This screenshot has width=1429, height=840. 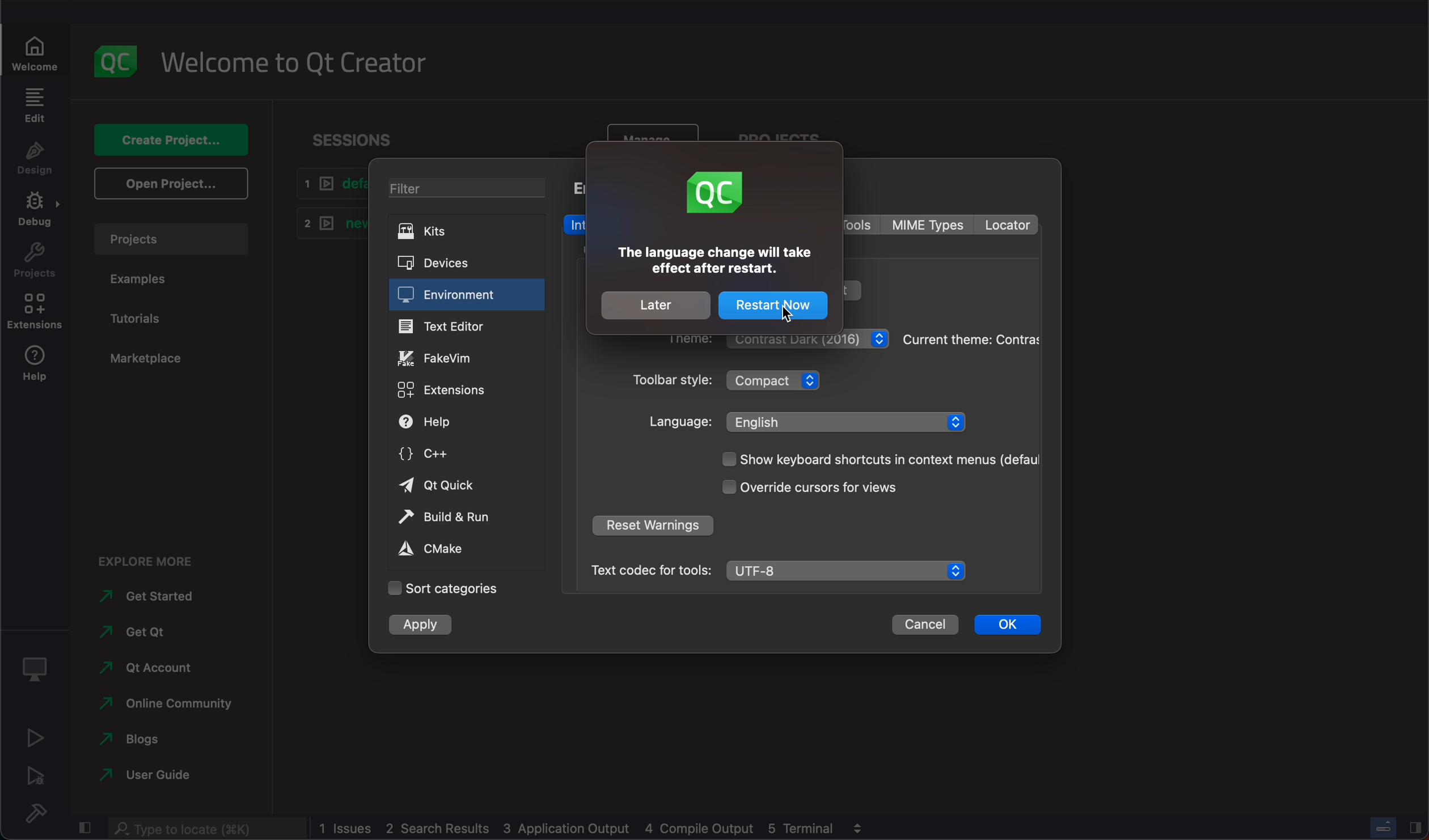 What do you see at coordinates (971, 339) in the screenshot?
I see `theme` at bounding box center [971, 339].